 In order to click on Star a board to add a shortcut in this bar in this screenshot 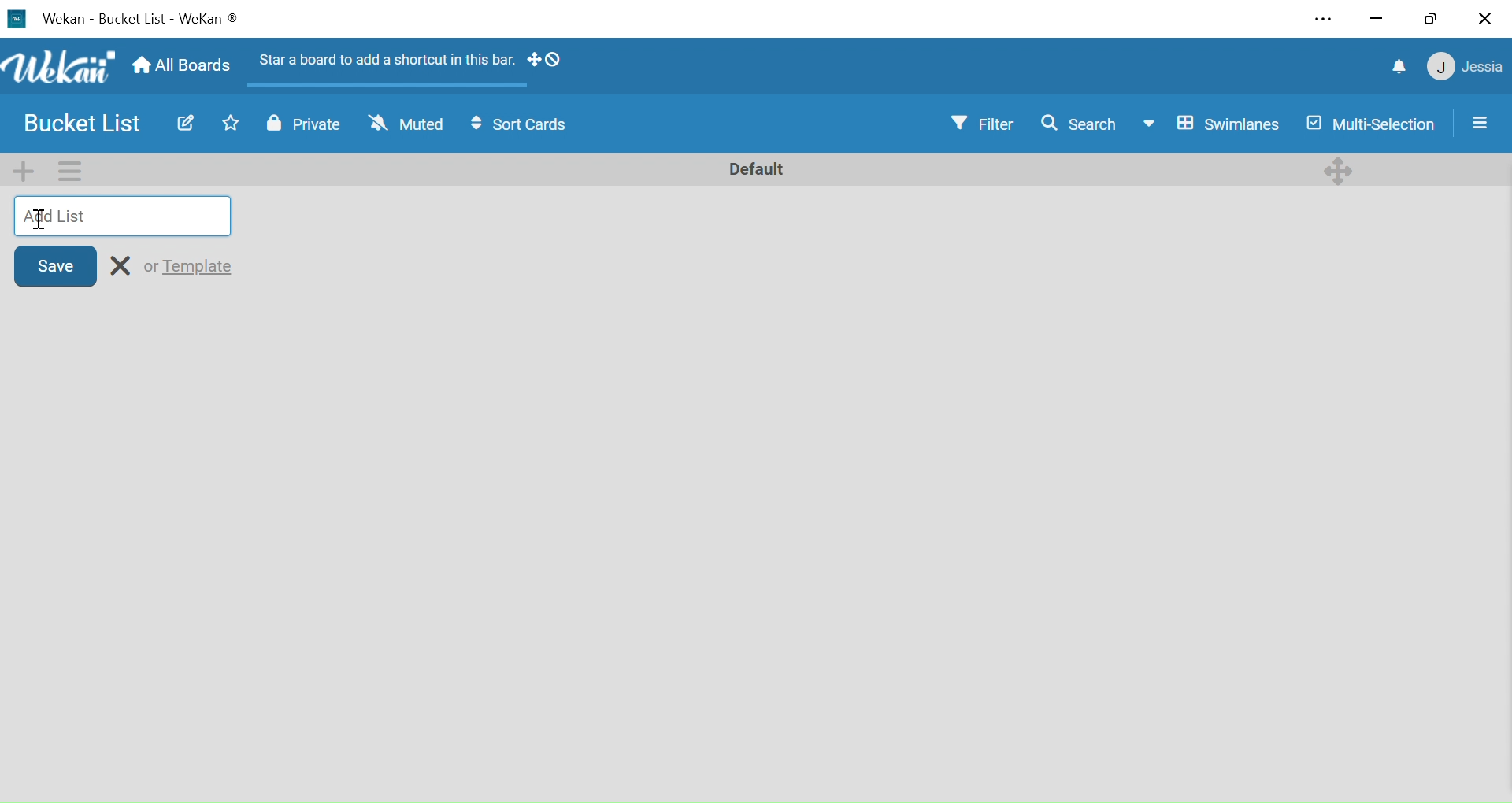, I will do `click(382, 63)`.